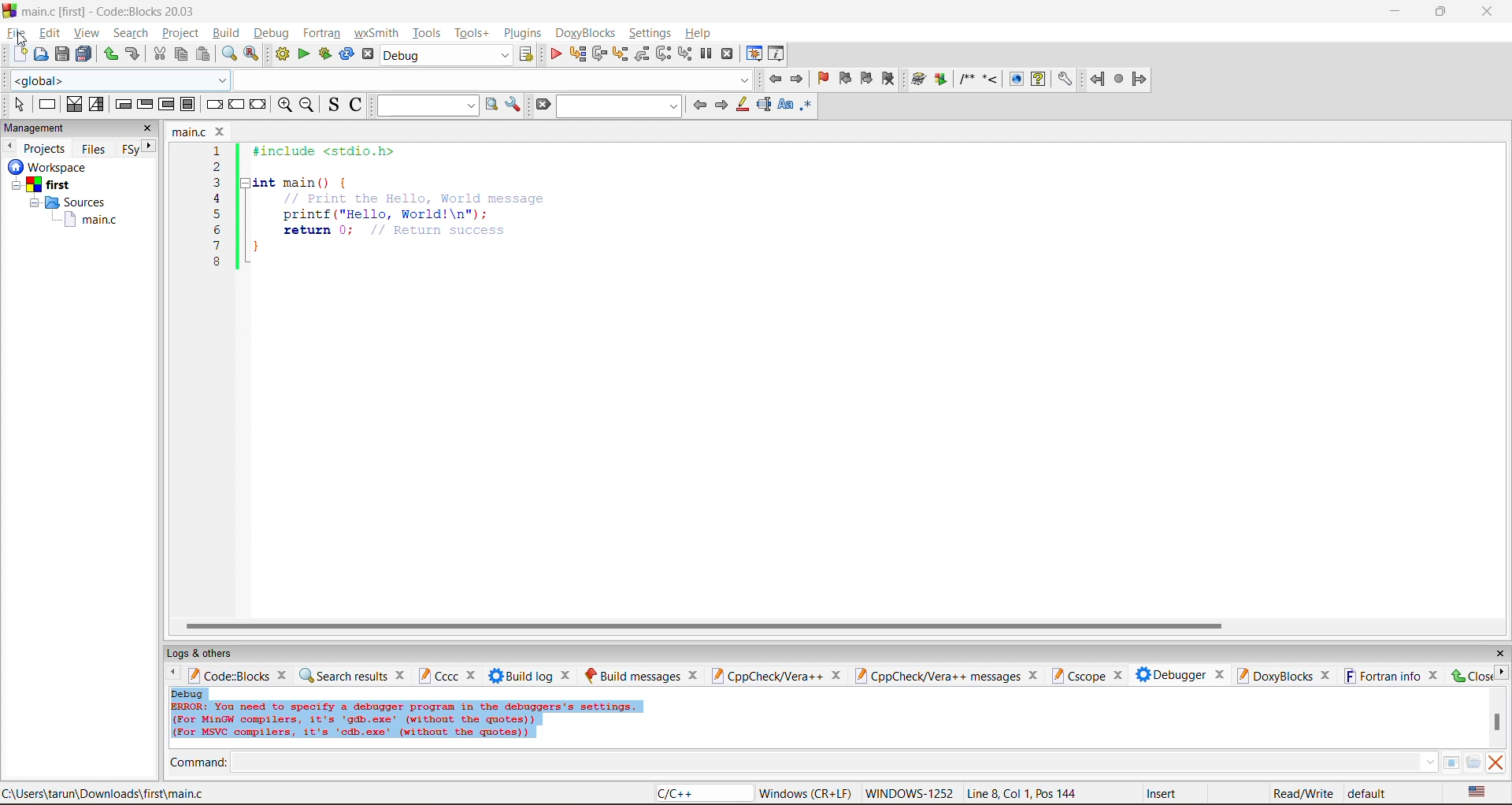  What do you see at coordinates (212, 104) in the screenshot?
I see `break instruction` at bounding box center [212, 104].